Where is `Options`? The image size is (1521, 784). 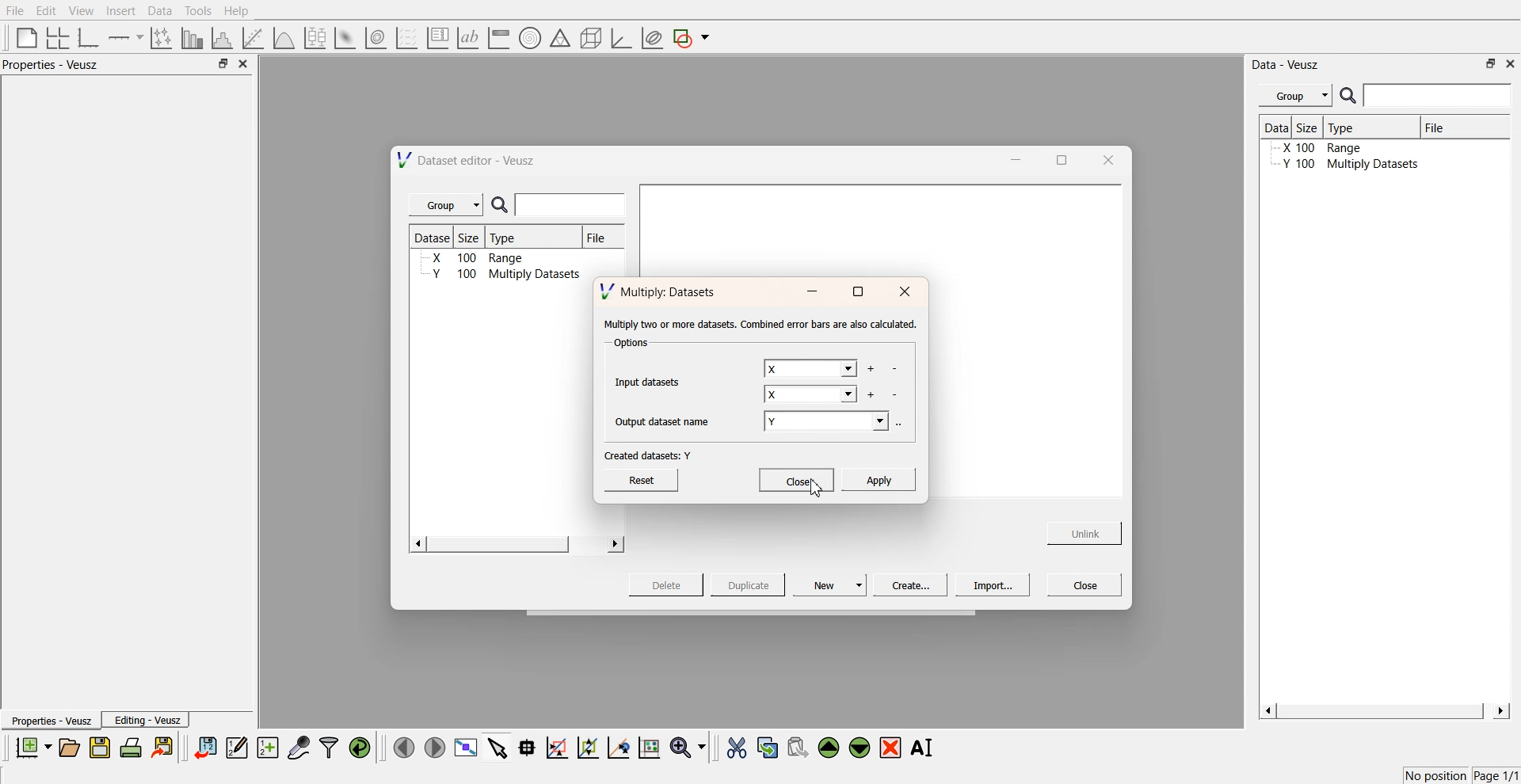 Options is located at coordinates (629, 344).